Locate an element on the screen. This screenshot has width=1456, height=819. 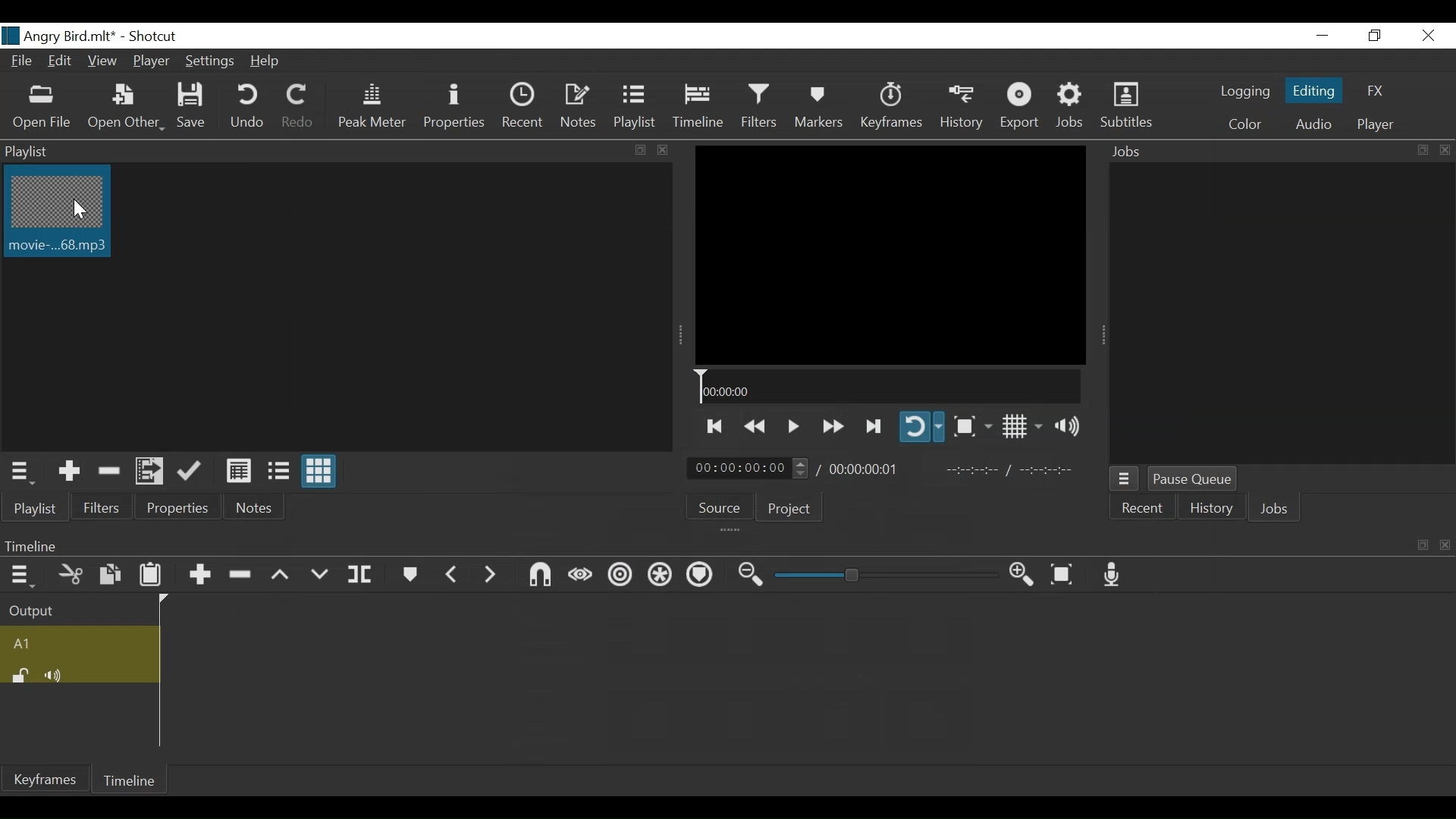
View as Details is located at coordinates (236, 472).